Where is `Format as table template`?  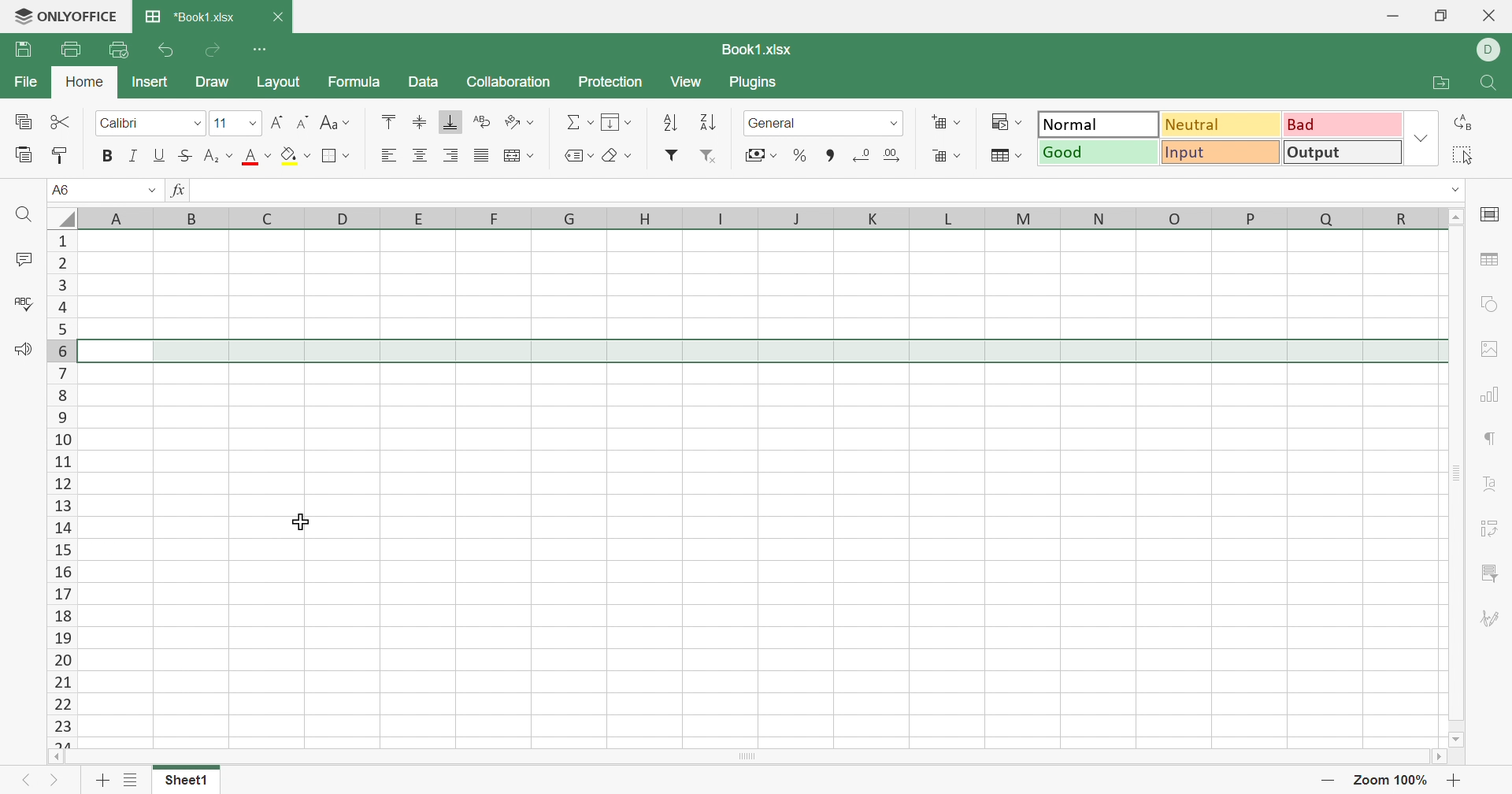
Format as table template is located at coordinates (1004, 154).